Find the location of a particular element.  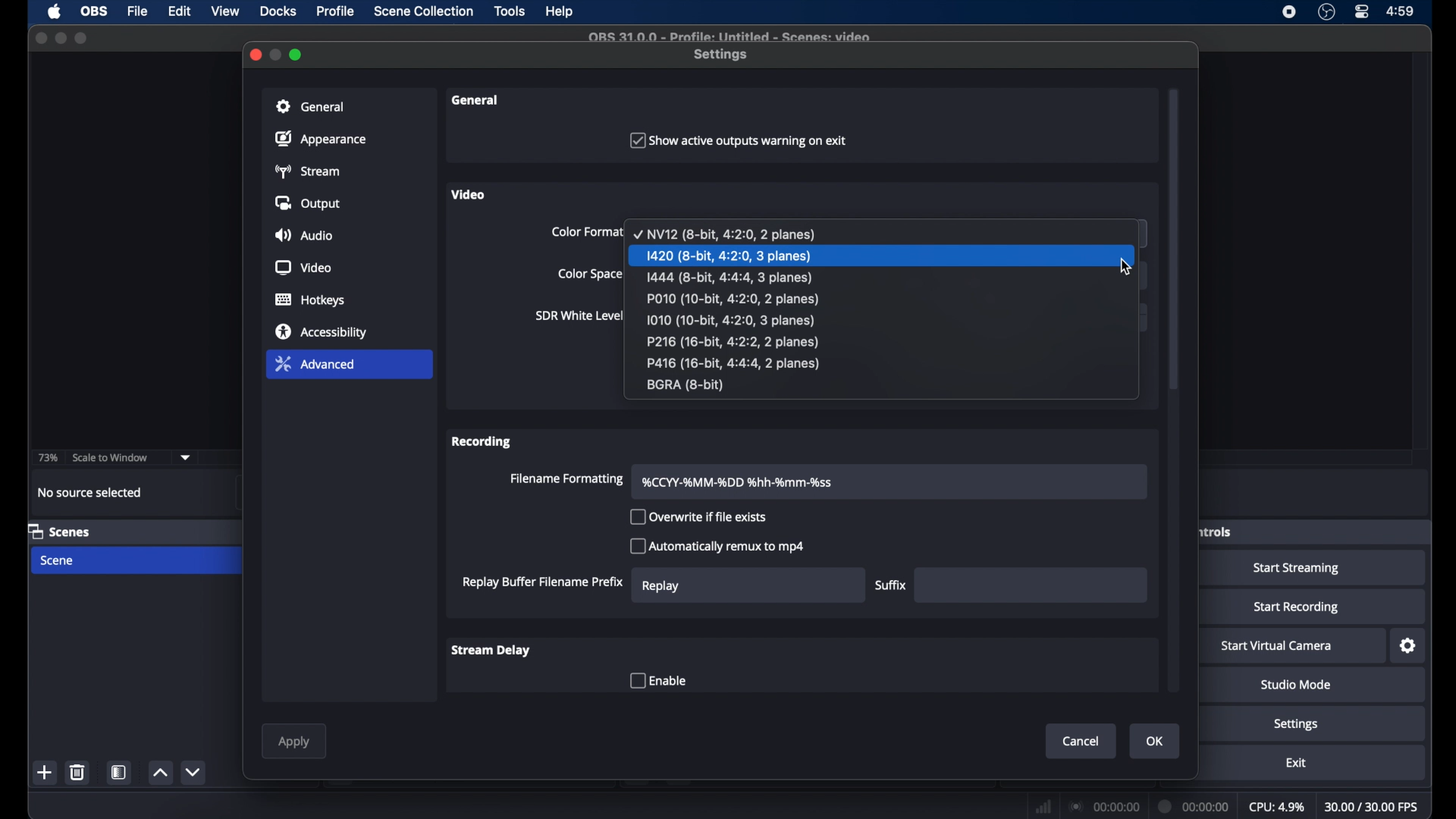

network is located at coordinates (1042, 805).